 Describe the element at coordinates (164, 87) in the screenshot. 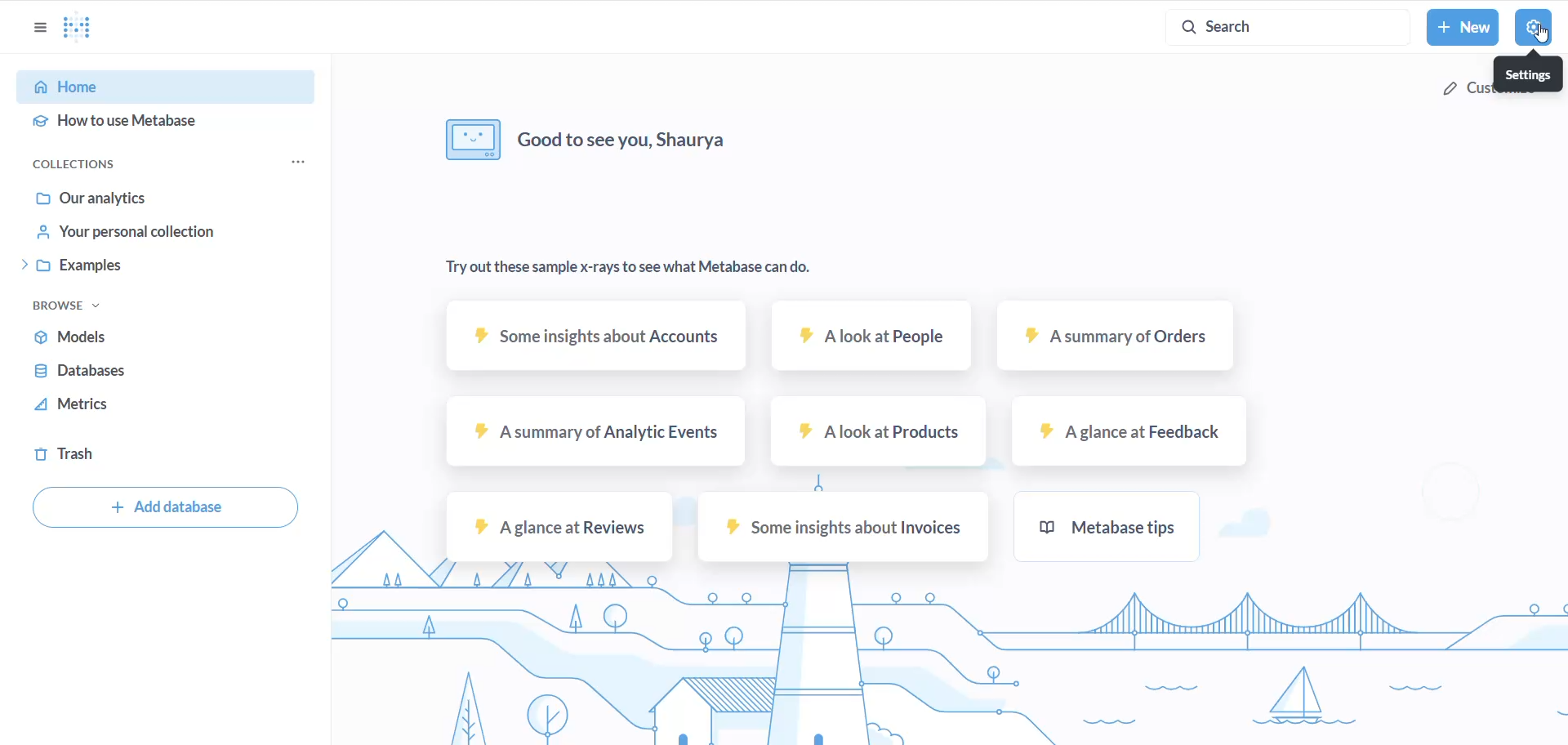

I see `HOME` at that location.